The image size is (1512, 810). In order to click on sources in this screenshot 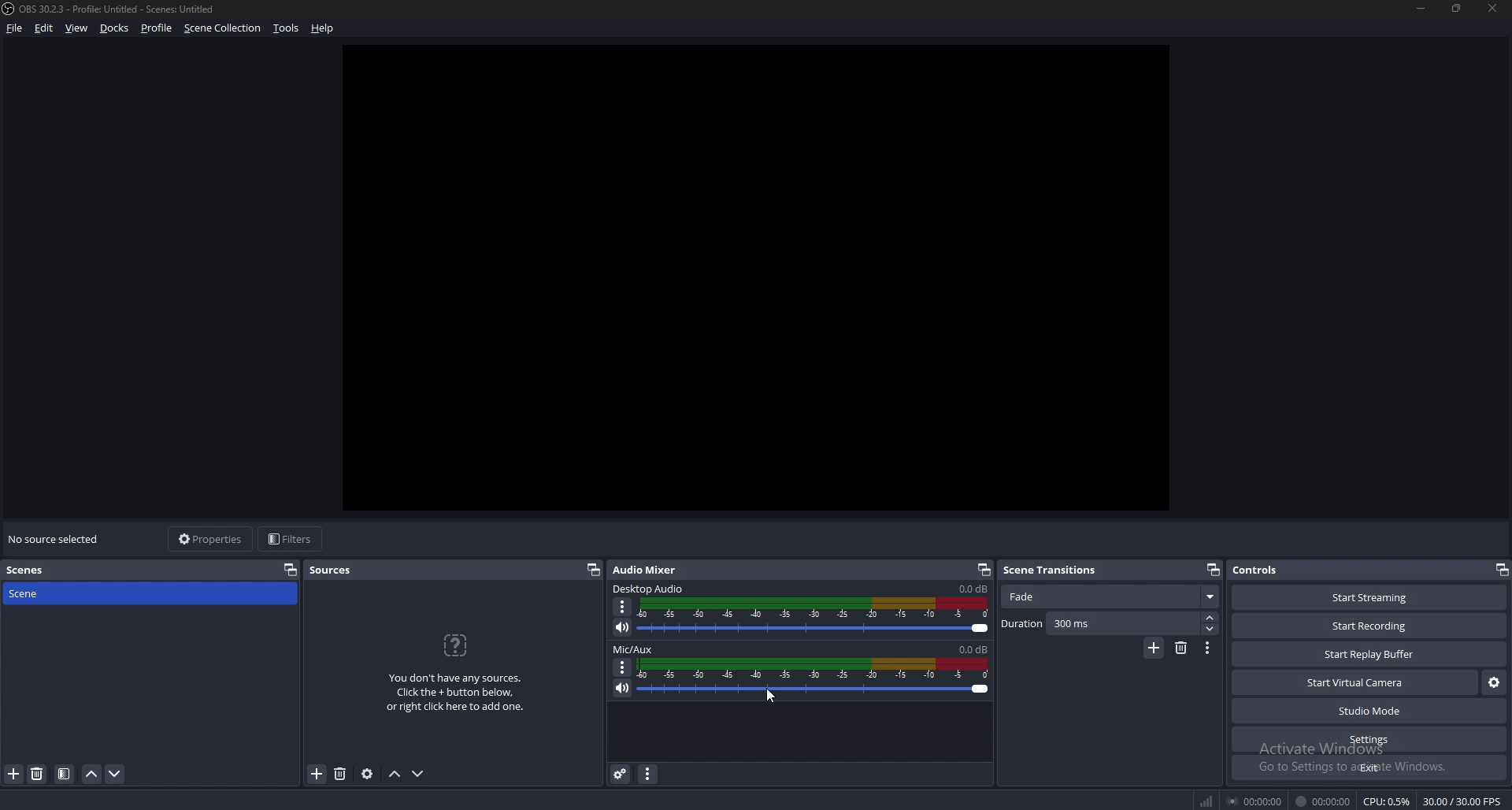, I will do `click(340, 568)`.